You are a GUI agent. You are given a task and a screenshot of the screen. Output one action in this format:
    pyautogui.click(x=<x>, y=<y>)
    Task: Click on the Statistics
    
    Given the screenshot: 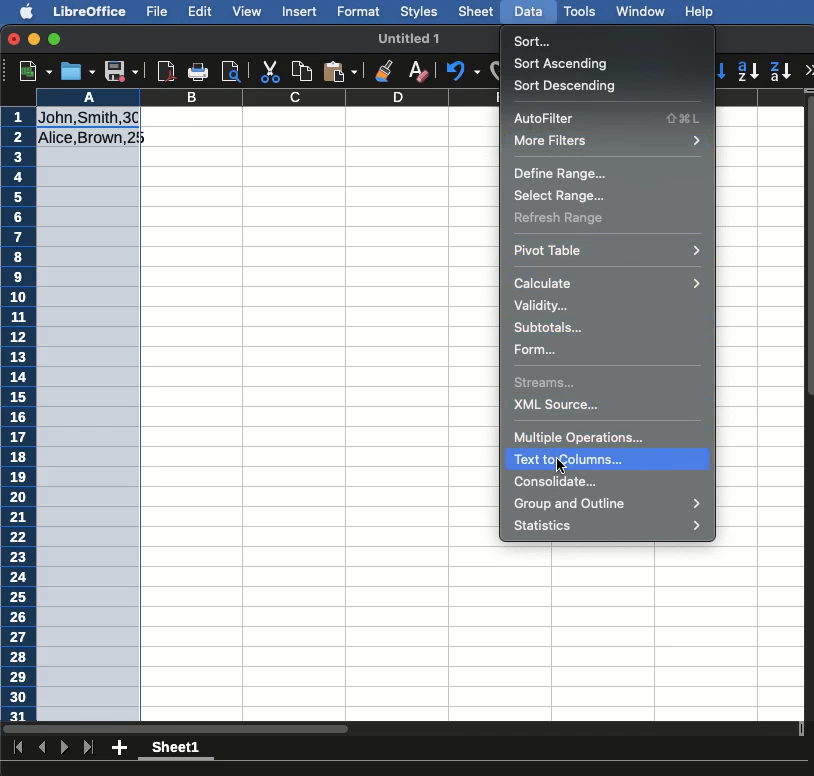 What is the action you would take?
    pyautogui.click(x=610, y=526)
    